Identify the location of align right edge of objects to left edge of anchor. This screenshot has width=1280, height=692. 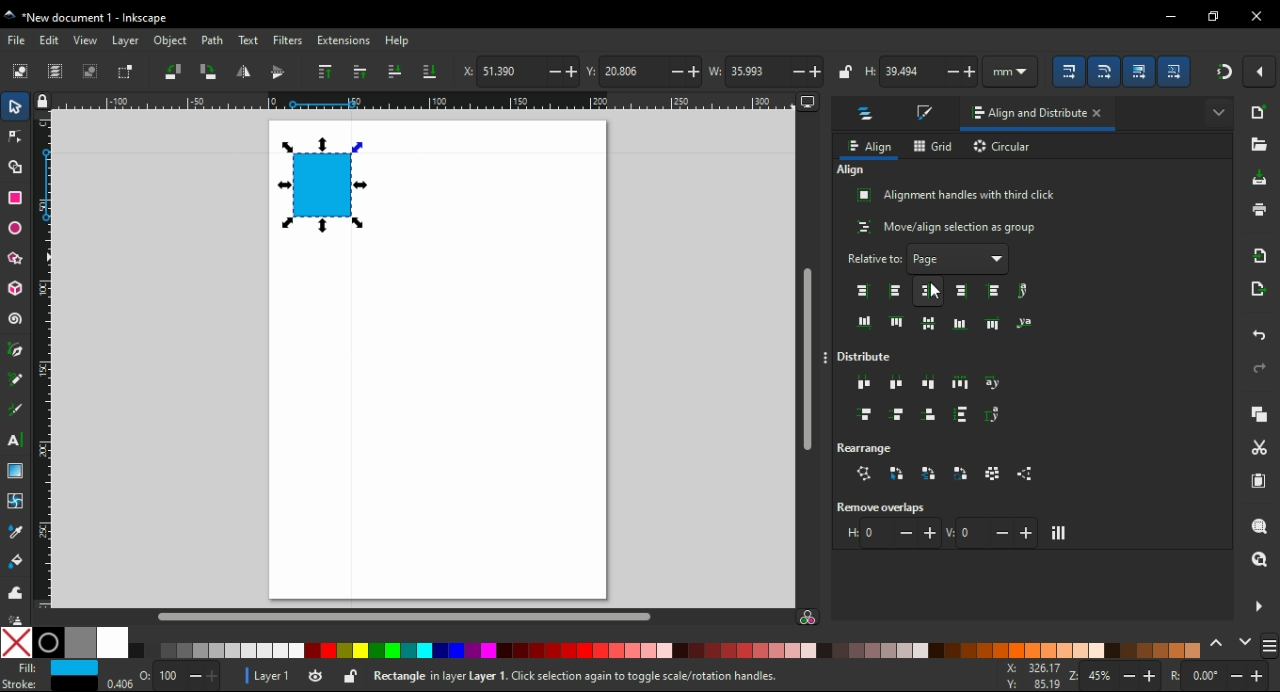
(864, 291).